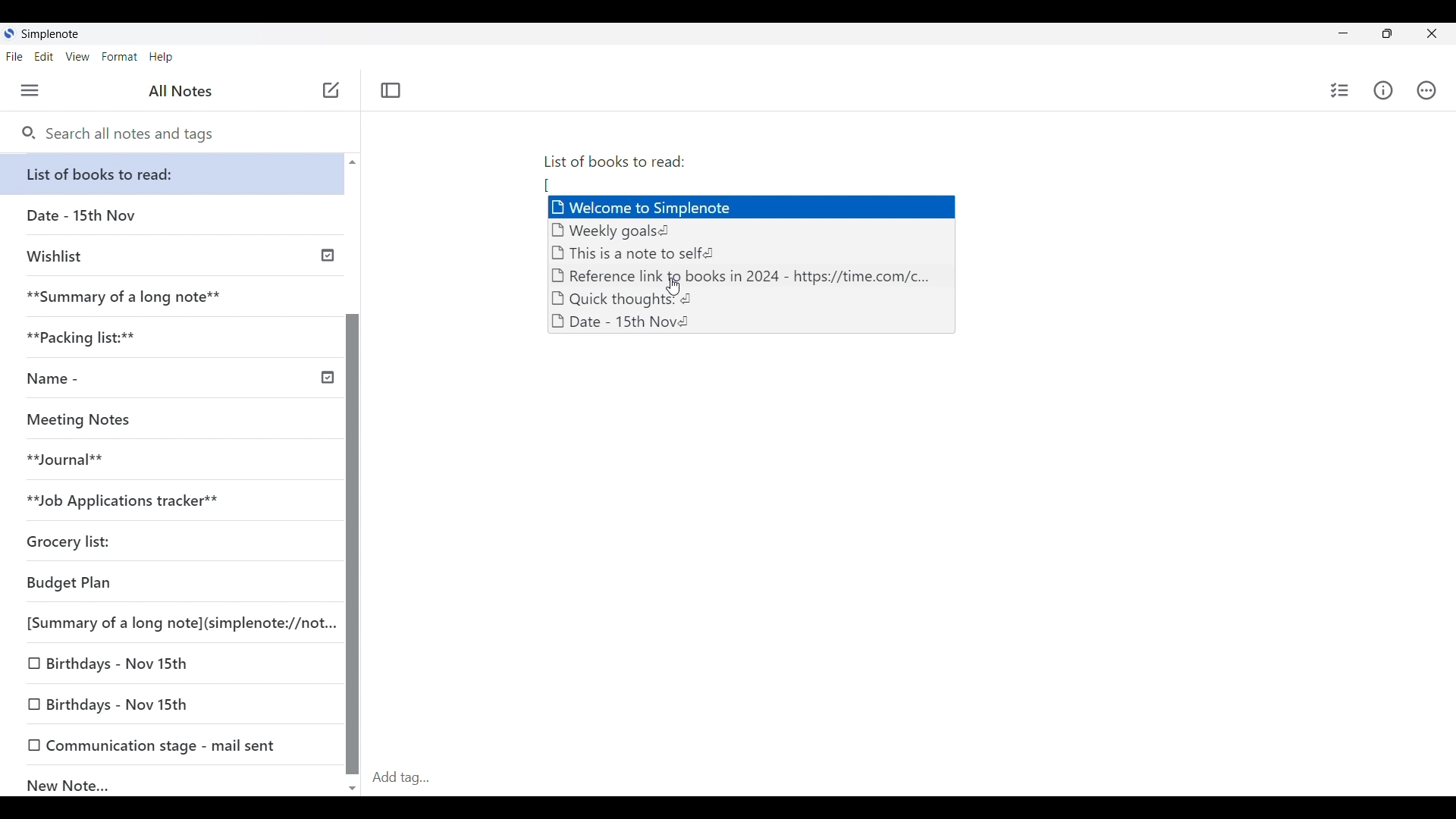 The width and height of the screenshot is (1456, 819). I want to click on List of books to read:, so click(622, 165).